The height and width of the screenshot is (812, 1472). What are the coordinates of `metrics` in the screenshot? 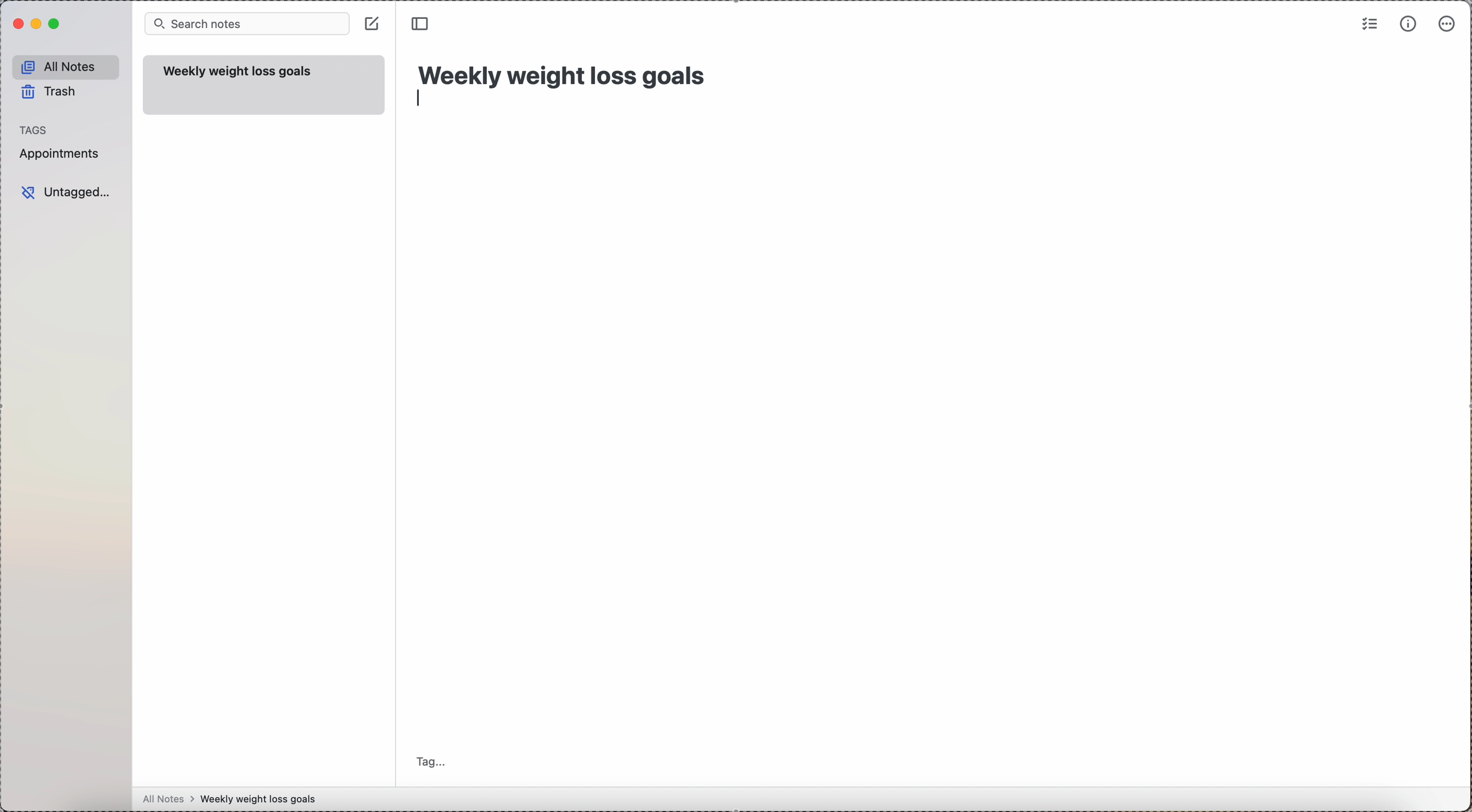 It's located at (1407, 25).